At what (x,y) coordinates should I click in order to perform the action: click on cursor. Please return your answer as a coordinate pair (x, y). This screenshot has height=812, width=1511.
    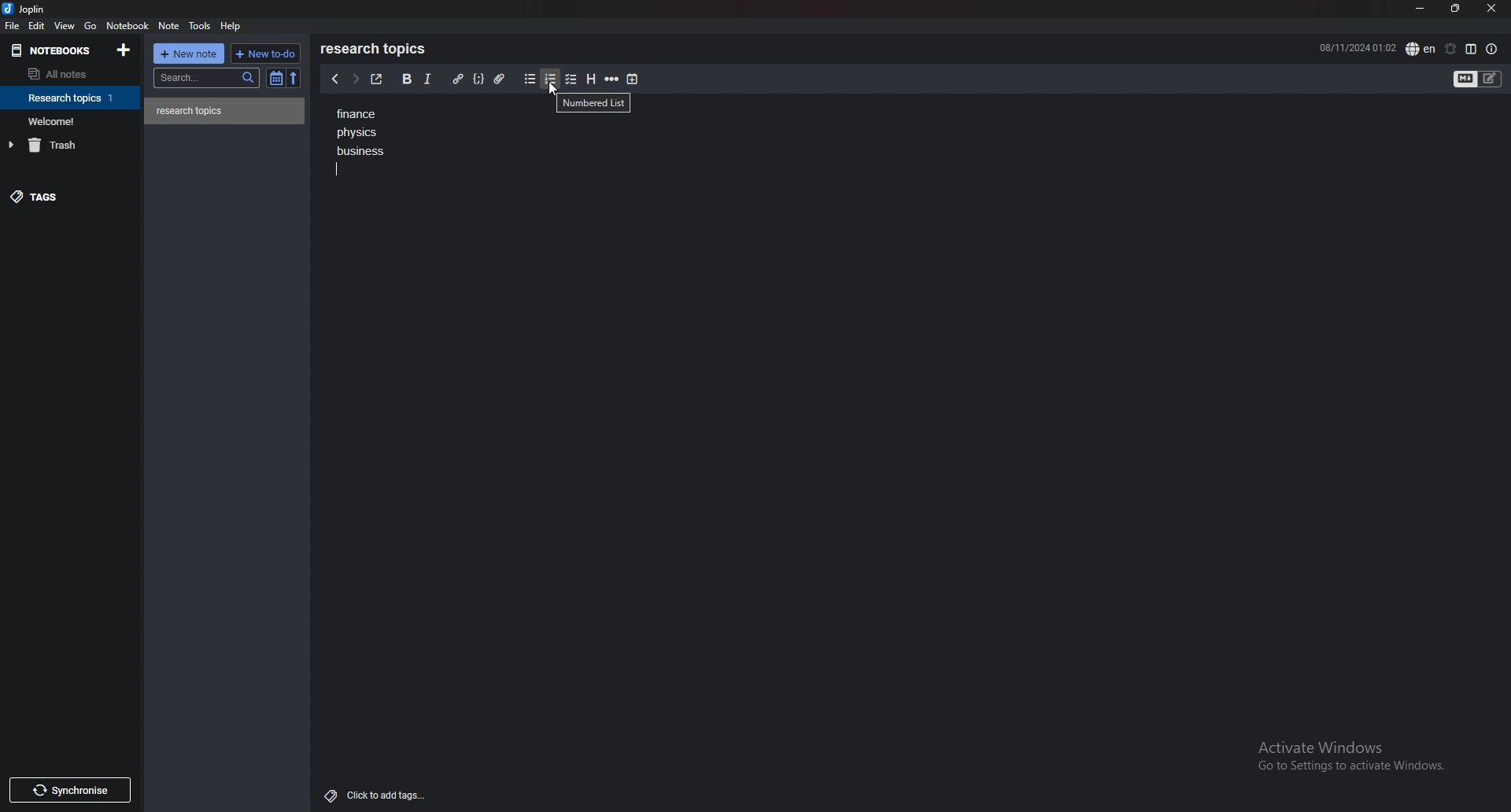
    Looking at the image, I should click on (554, 91).